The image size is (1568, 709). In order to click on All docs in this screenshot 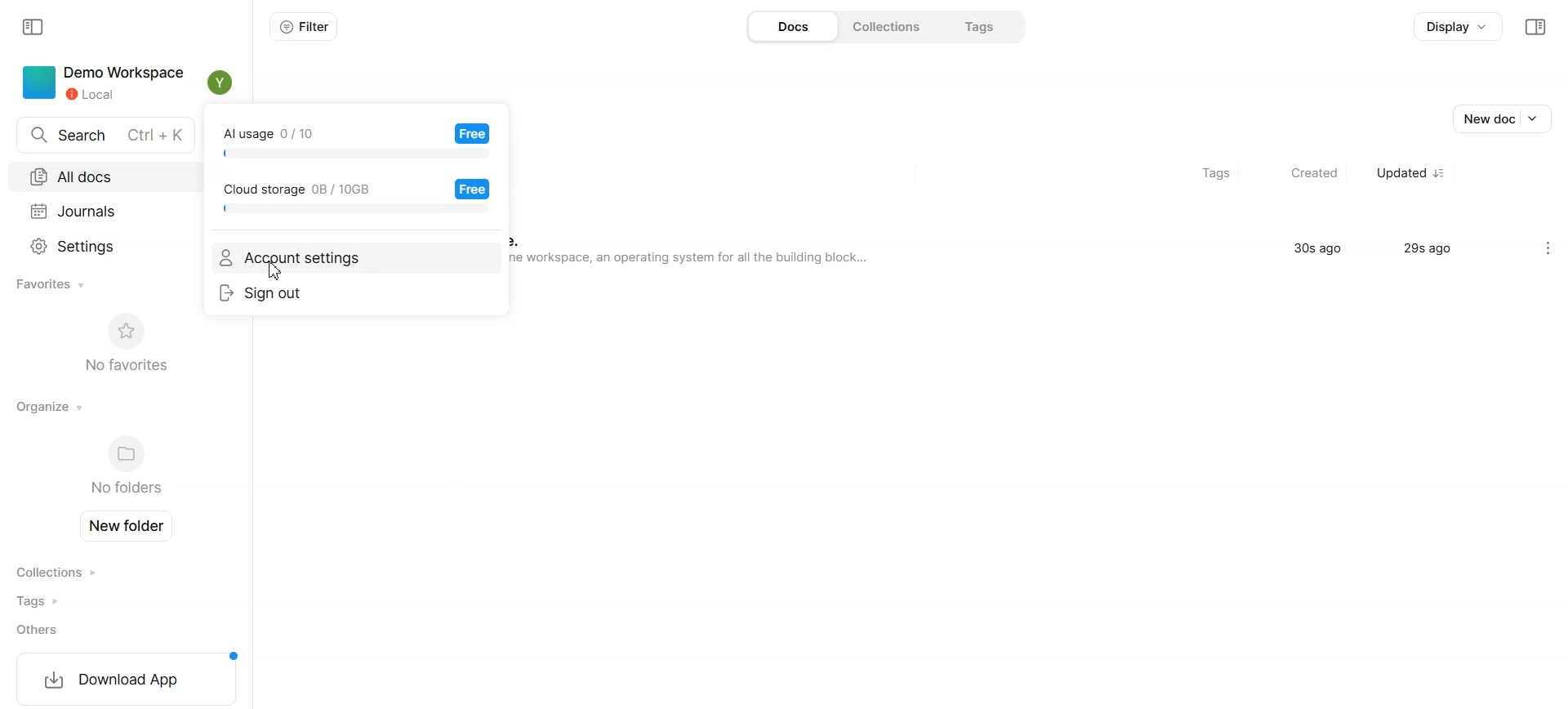, I will do `click(98, 175)`.